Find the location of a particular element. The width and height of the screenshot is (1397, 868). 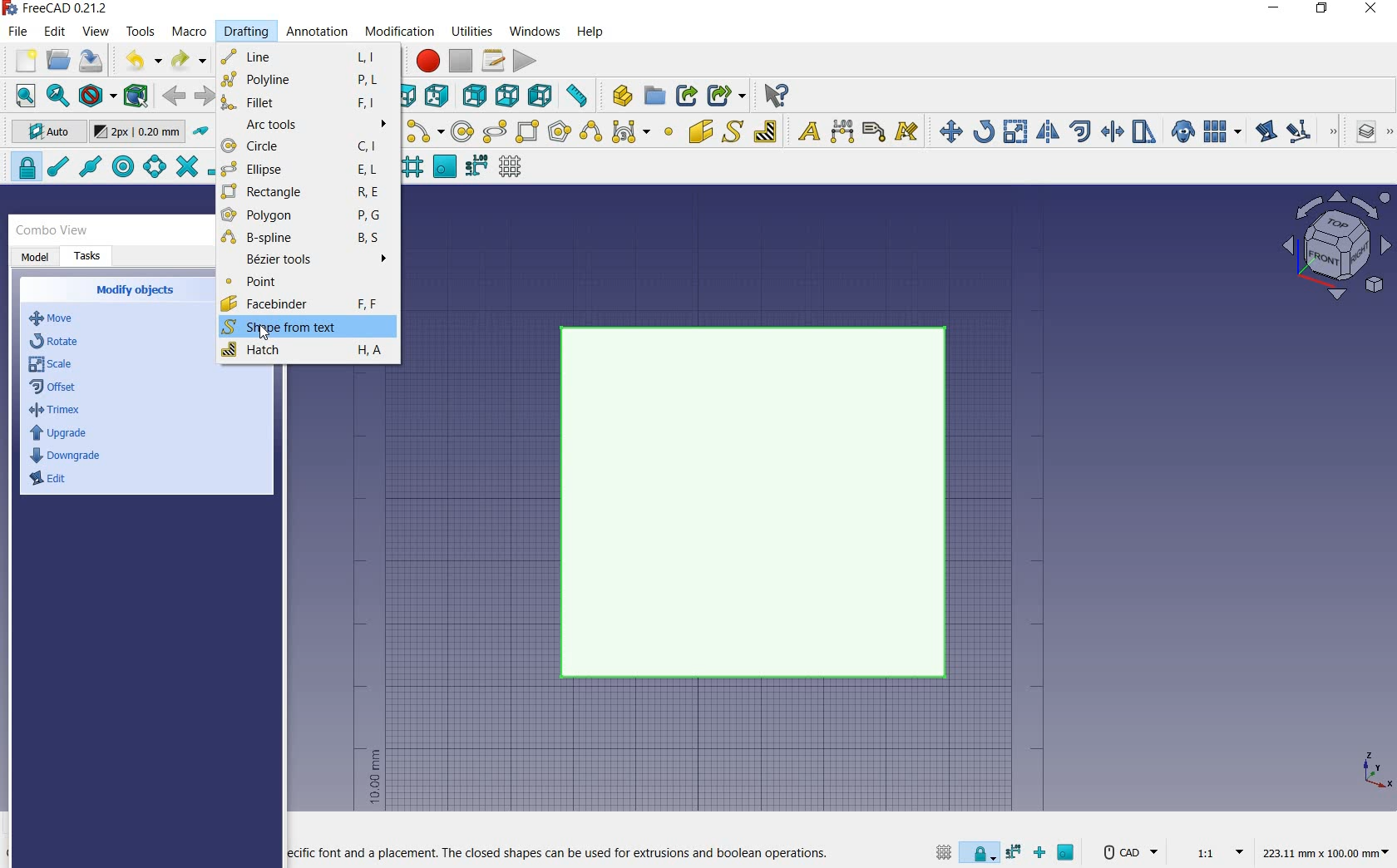

rotate is located at coordinates (984, 131).